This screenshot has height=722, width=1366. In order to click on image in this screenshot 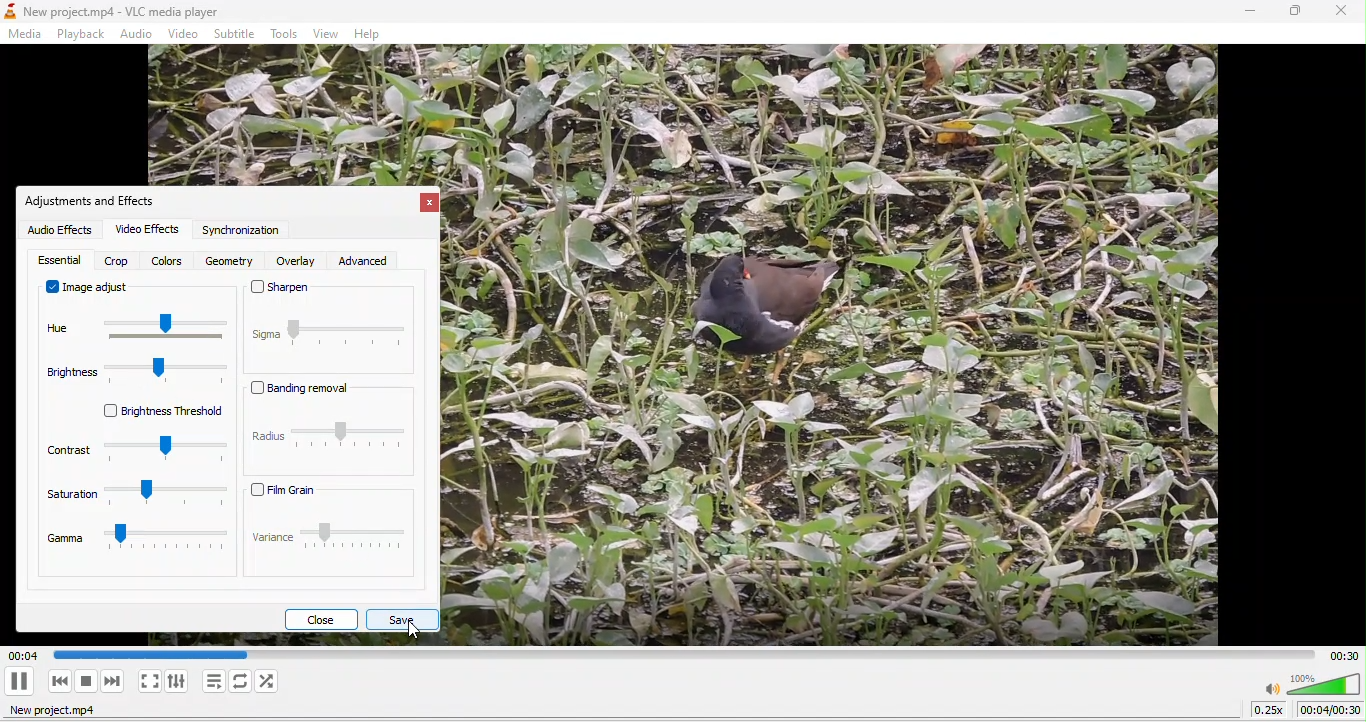, I will do `click(849, 349)`.